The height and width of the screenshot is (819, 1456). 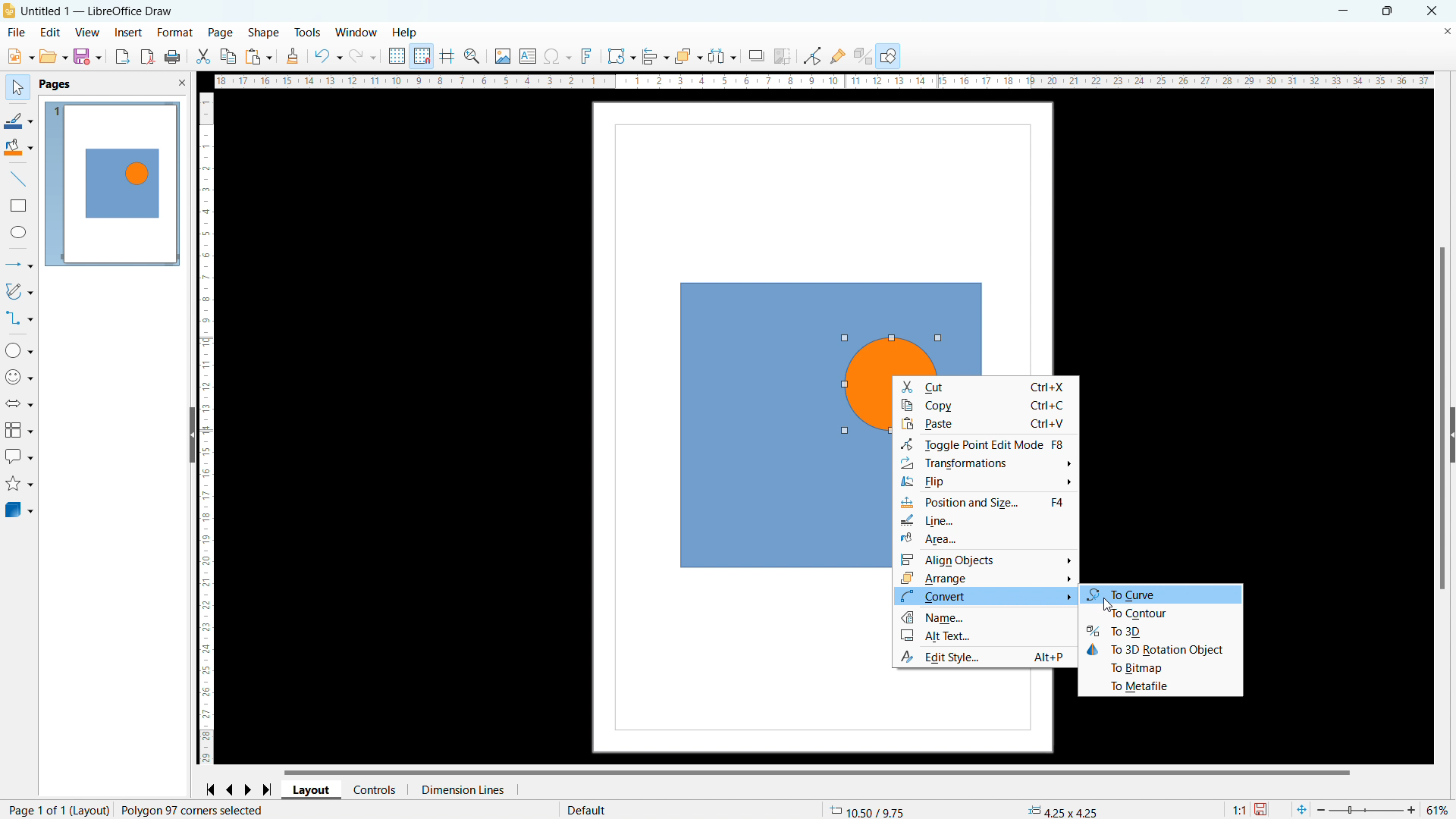 What do you see at coordinates (1158, 613) in the screenshot?
I see `to contour` at bounding box center [1158, 613].